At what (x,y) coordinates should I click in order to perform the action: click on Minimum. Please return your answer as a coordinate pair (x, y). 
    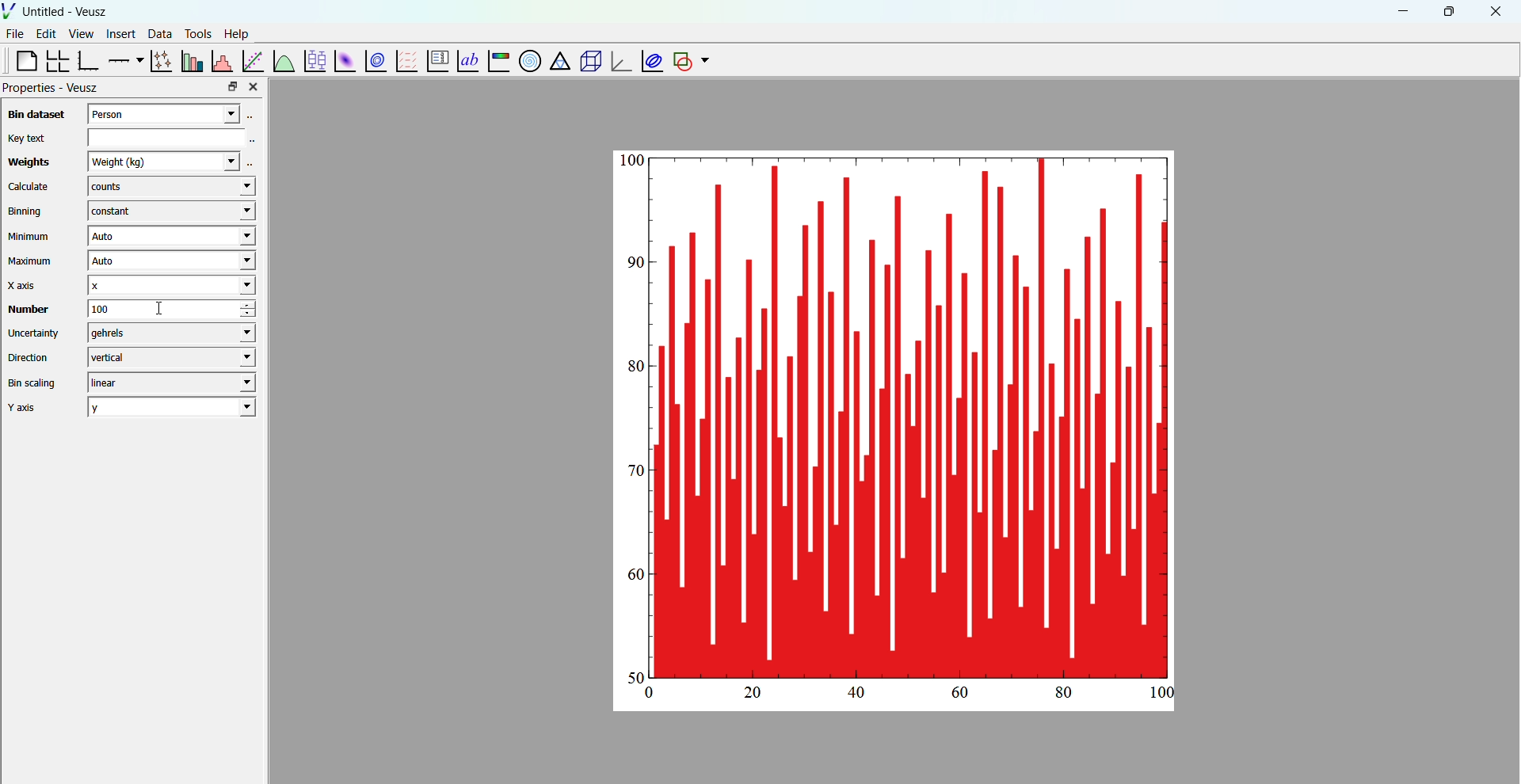
    Looking at the image, I should click on (29, 237).